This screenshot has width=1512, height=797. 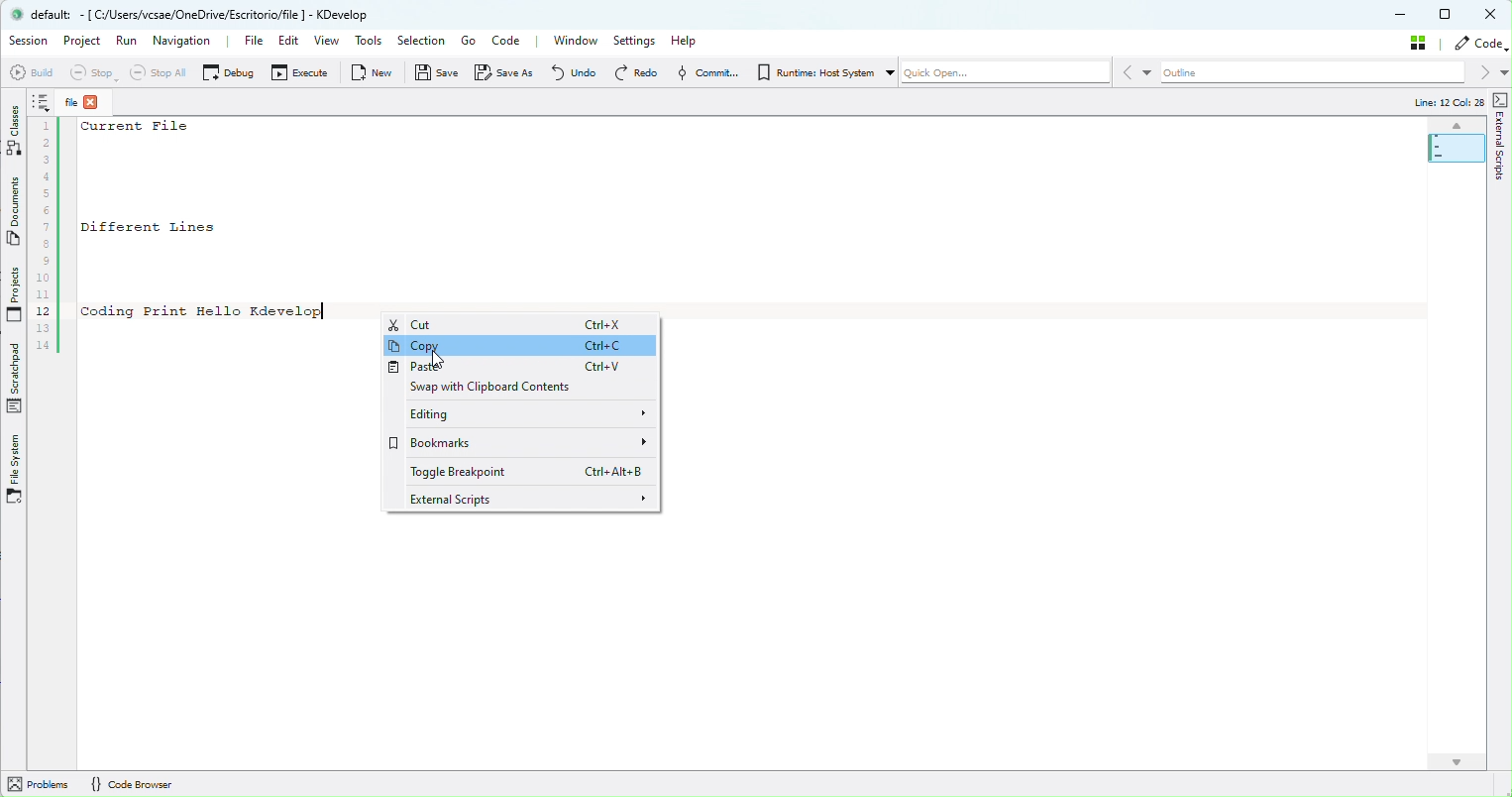 What do you see at coordinates (520, 444) in the screenshot?
I see `Bookmarks` at bounding box center [520, 444].